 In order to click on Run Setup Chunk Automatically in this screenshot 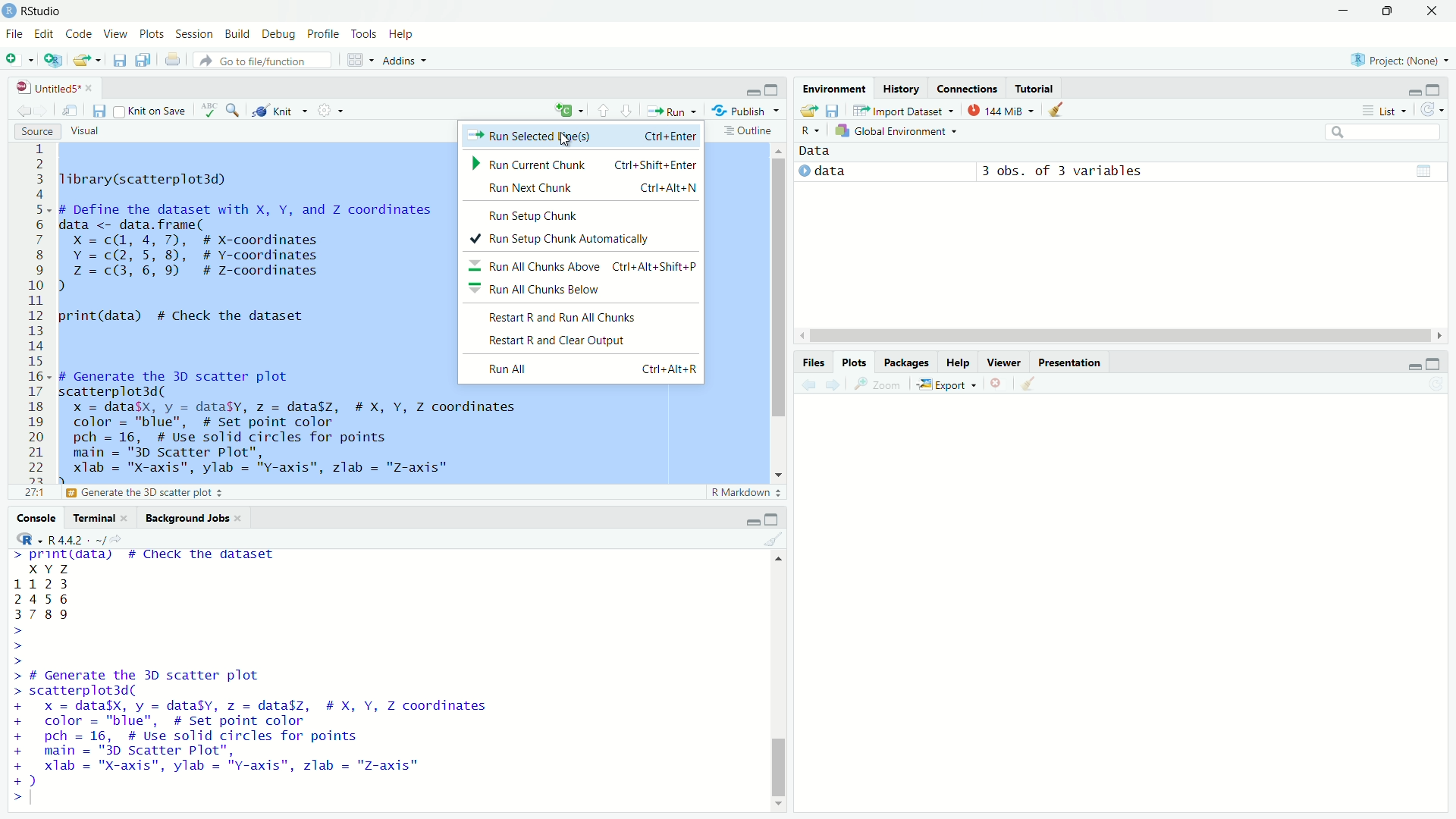, I will do `click(563, 238)`.